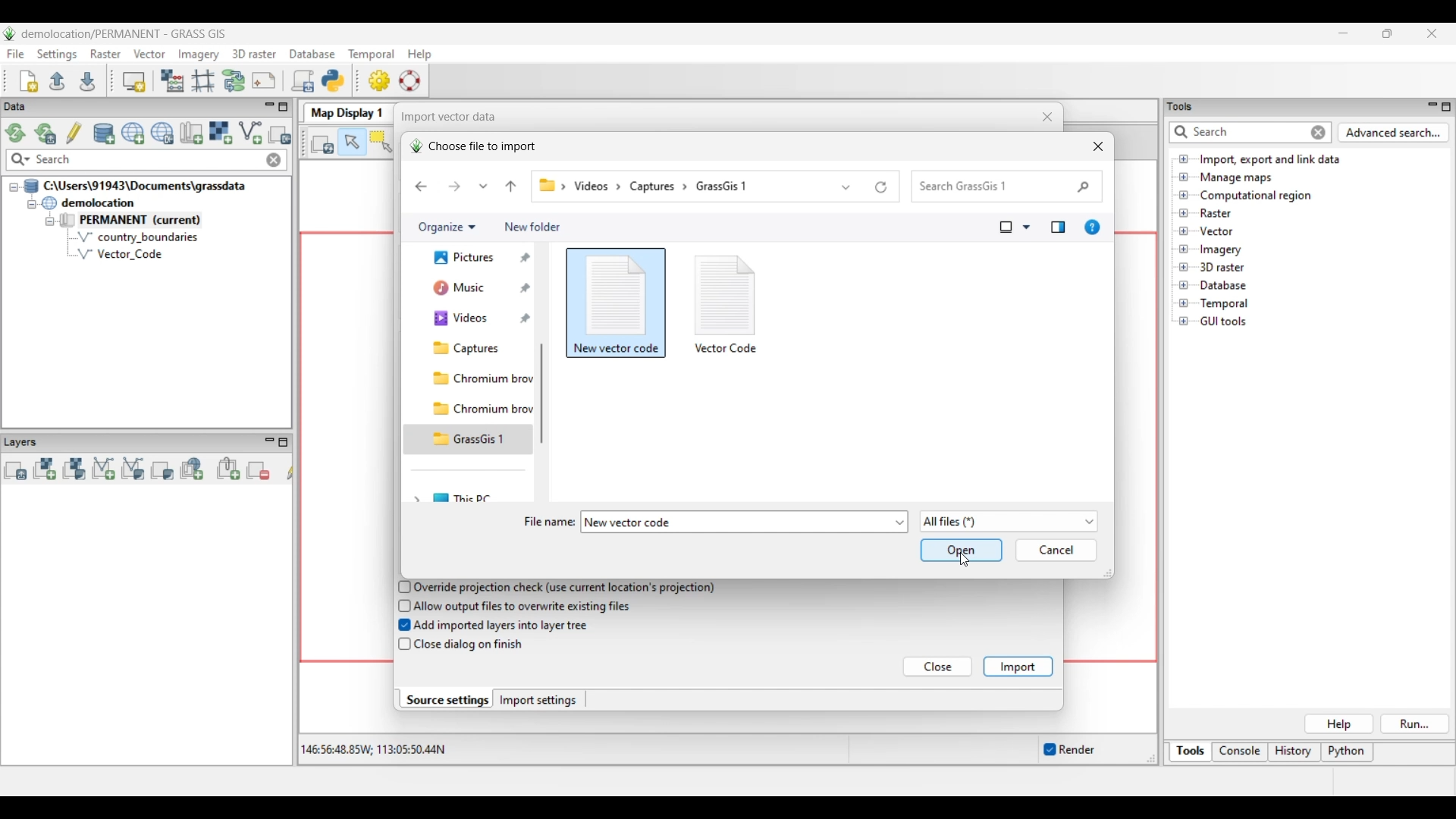 Image resolution: width=1456 pixels, height=819 pixels. Describe the element at coordinates (191, 133) in the screenshot. I see `Create new map set in current project` at that location.